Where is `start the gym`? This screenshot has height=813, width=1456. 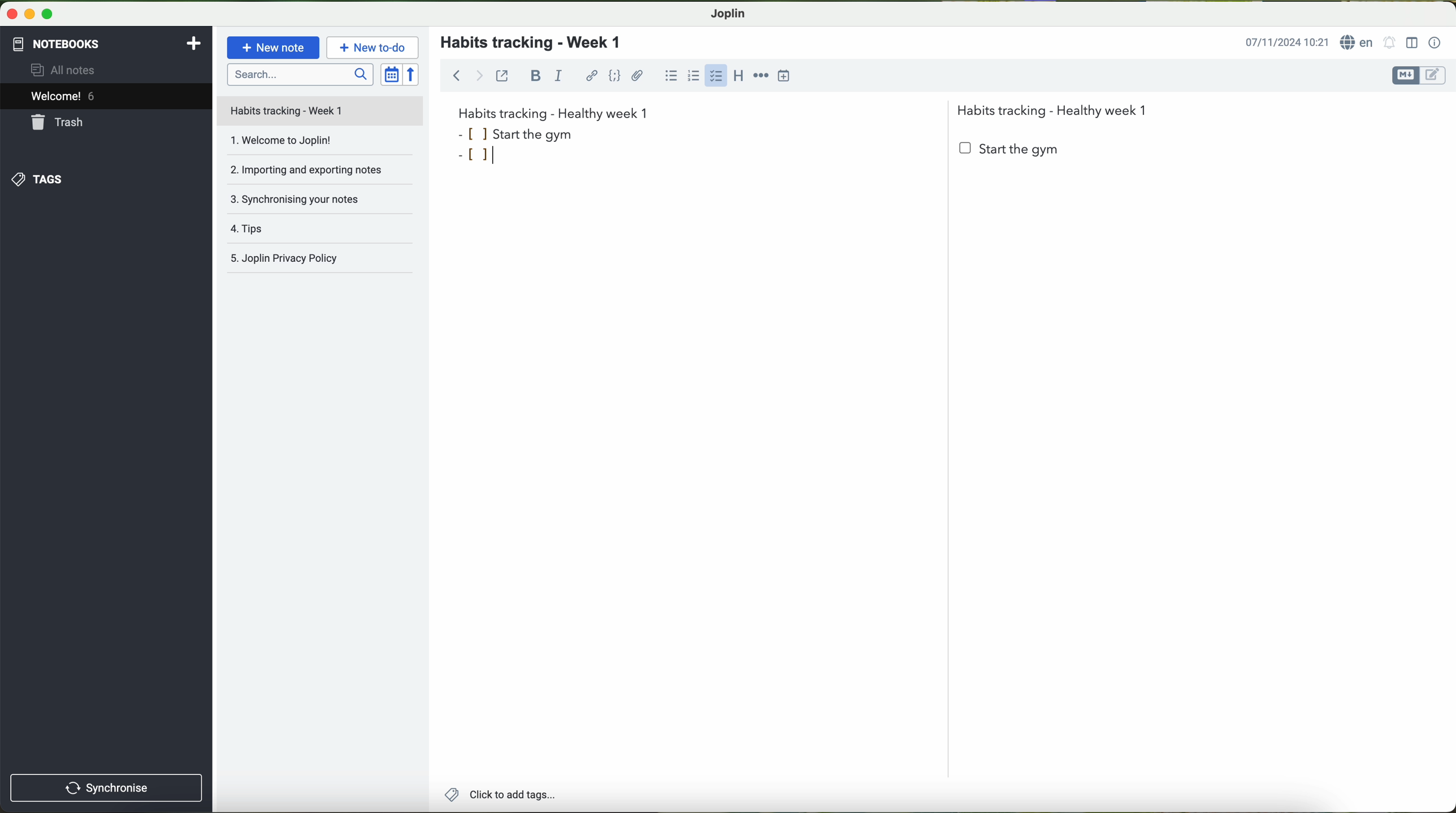 start the gym is located at coordinates (518, 133).